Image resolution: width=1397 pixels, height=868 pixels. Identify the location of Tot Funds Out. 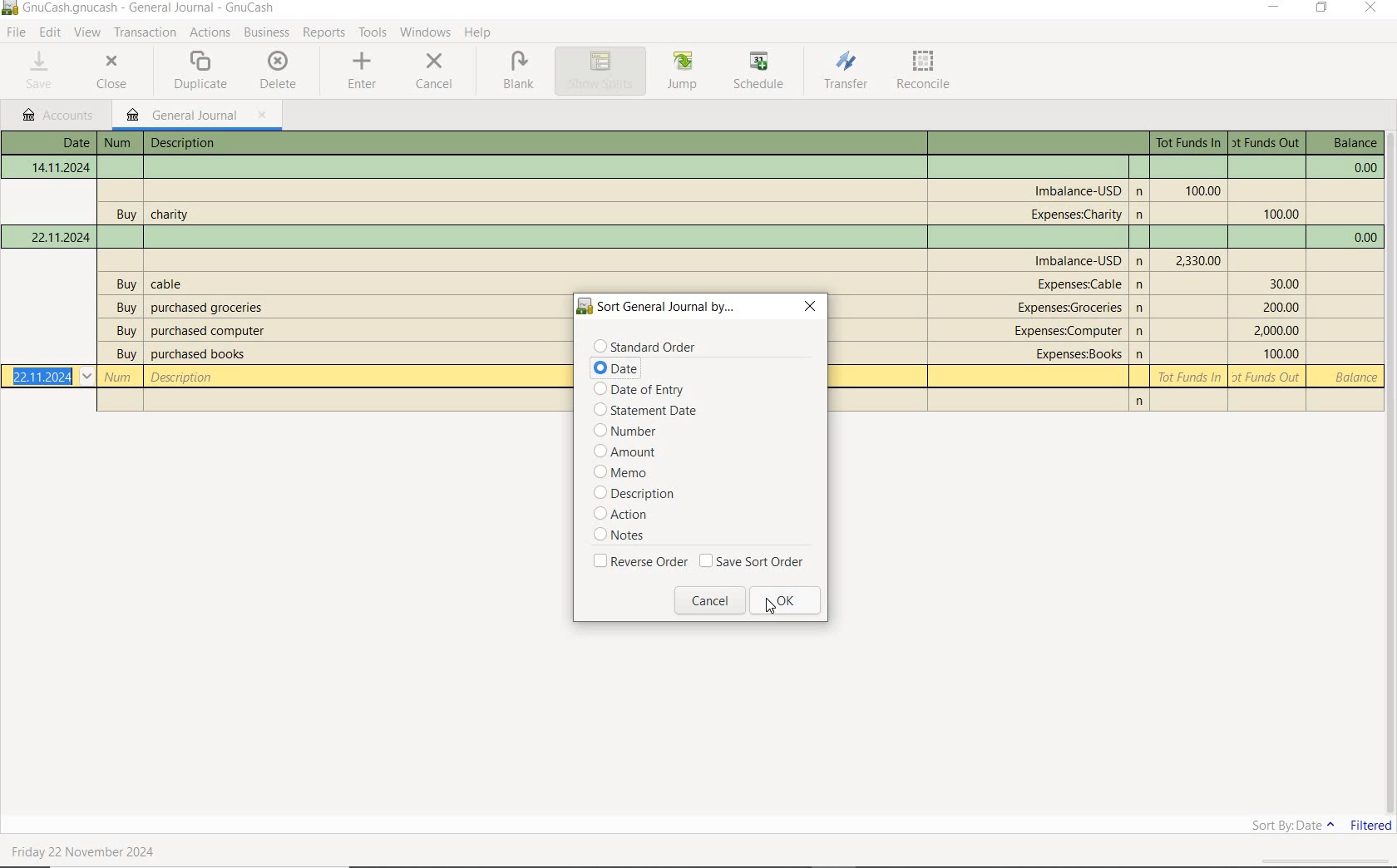
(1281, 215).